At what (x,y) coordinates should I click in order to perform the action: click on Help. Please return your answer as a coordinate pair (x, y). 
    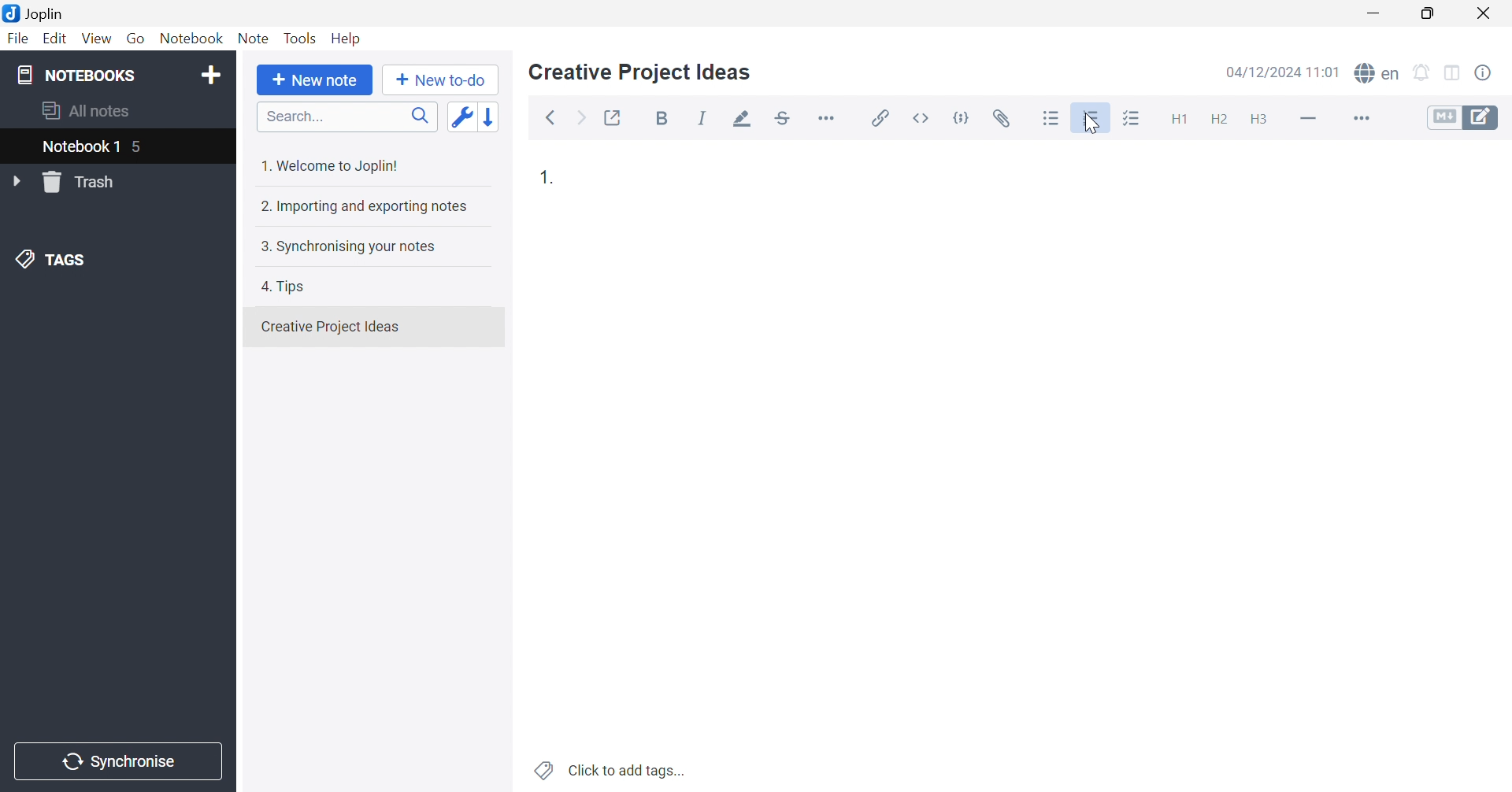
    Looking at the image, I should click on (347, 38).